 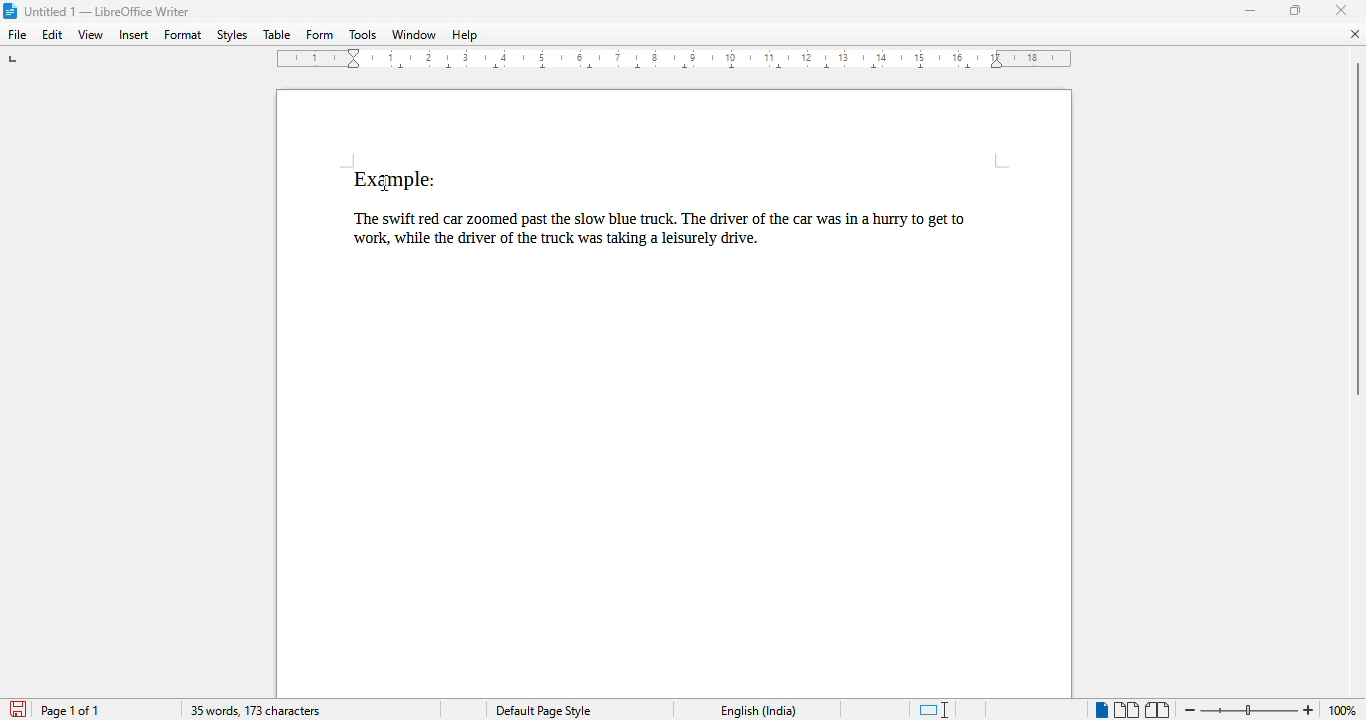 I want to click on tab stop, so click(x=13, y=61).